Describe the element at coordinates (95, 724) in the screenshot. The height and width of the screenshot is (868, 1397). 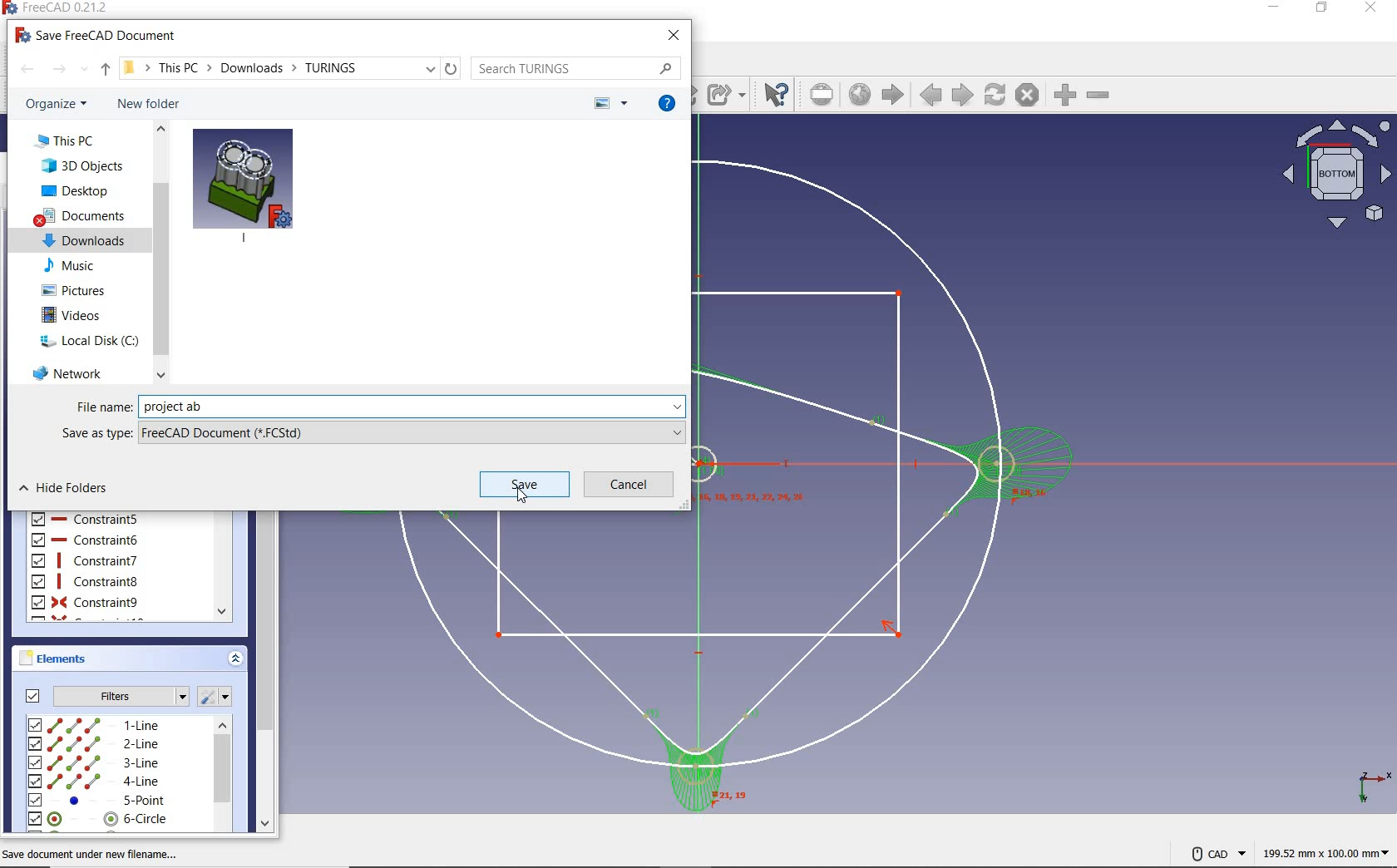
I see `1-line` at that location.